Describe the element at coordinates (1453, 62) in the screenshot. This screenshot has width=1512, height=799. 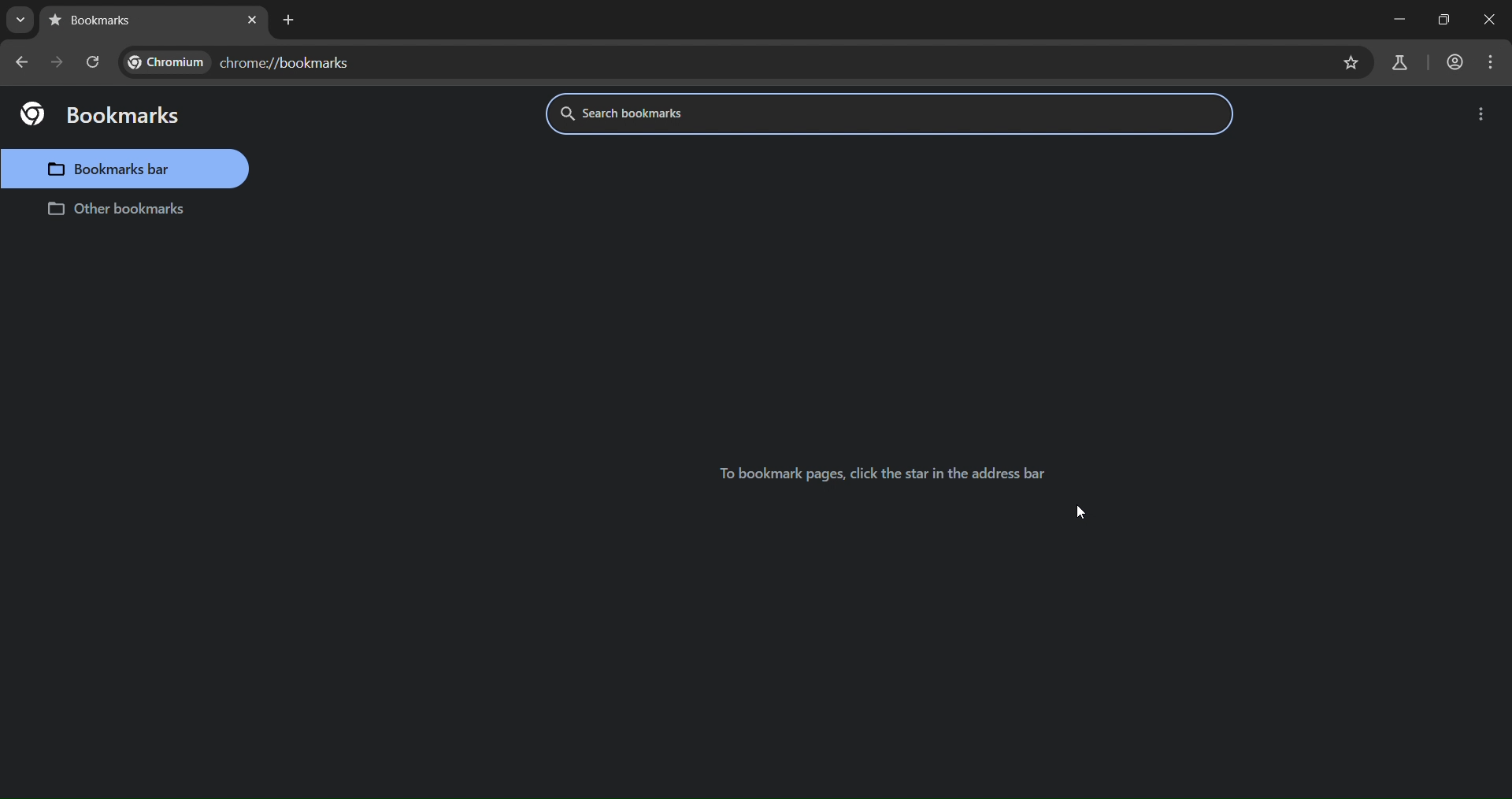
I see `account` at that location.